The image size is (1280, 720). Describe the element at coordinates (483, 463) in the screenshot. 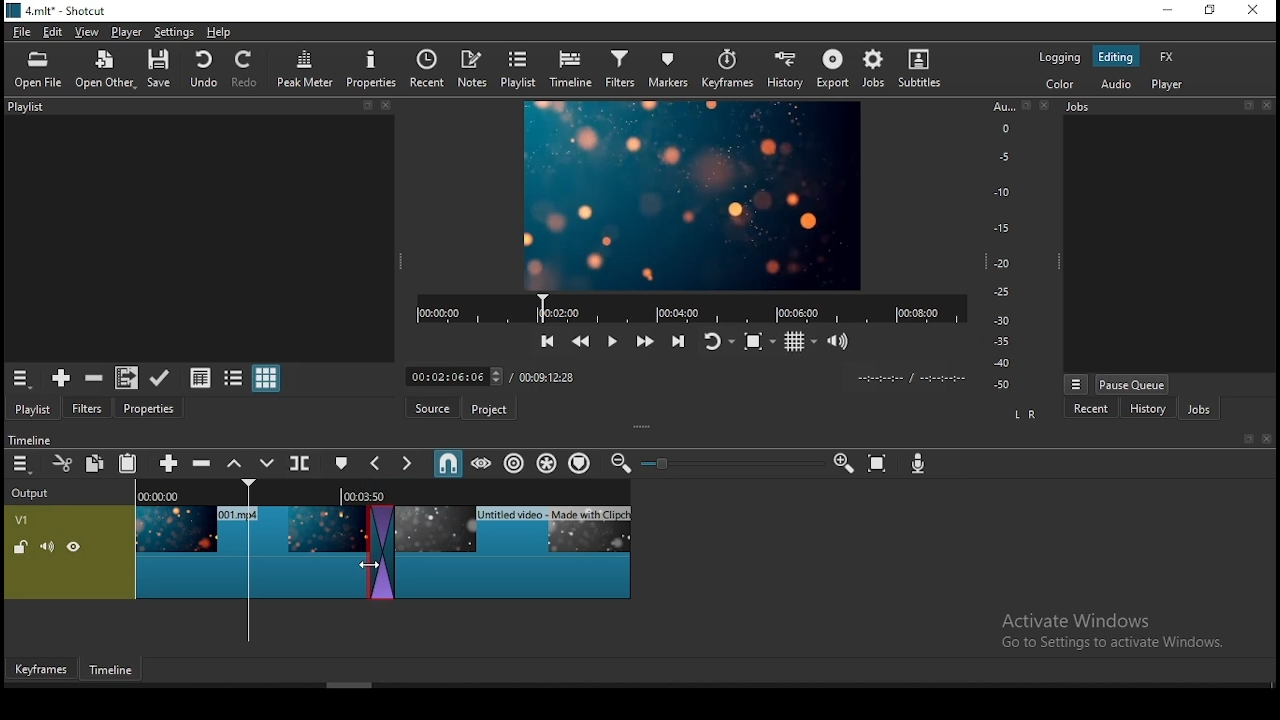

I see `scrub while dragging` at that location.